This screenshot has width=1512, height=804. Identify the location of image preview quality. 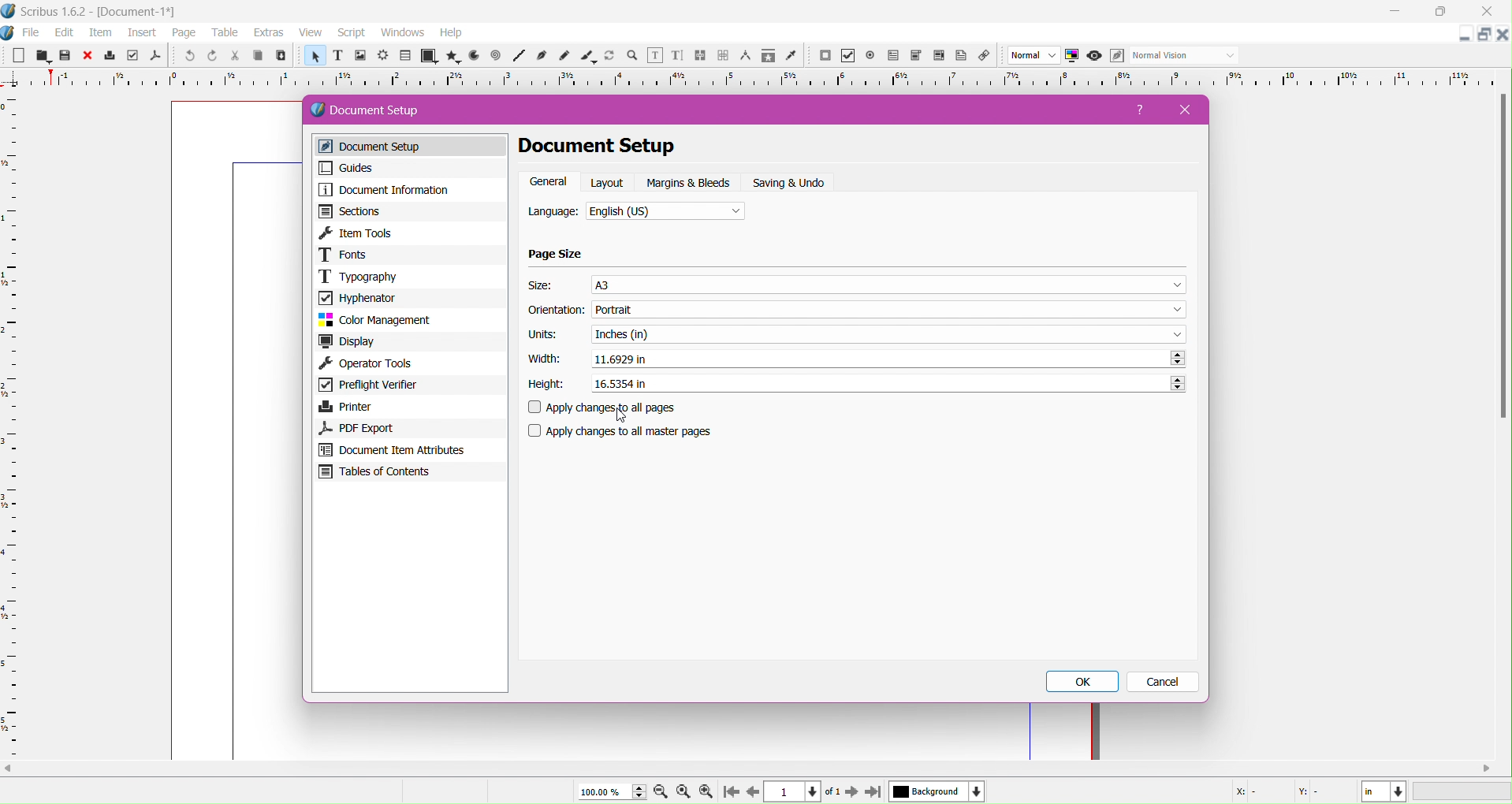
(1034, 56).